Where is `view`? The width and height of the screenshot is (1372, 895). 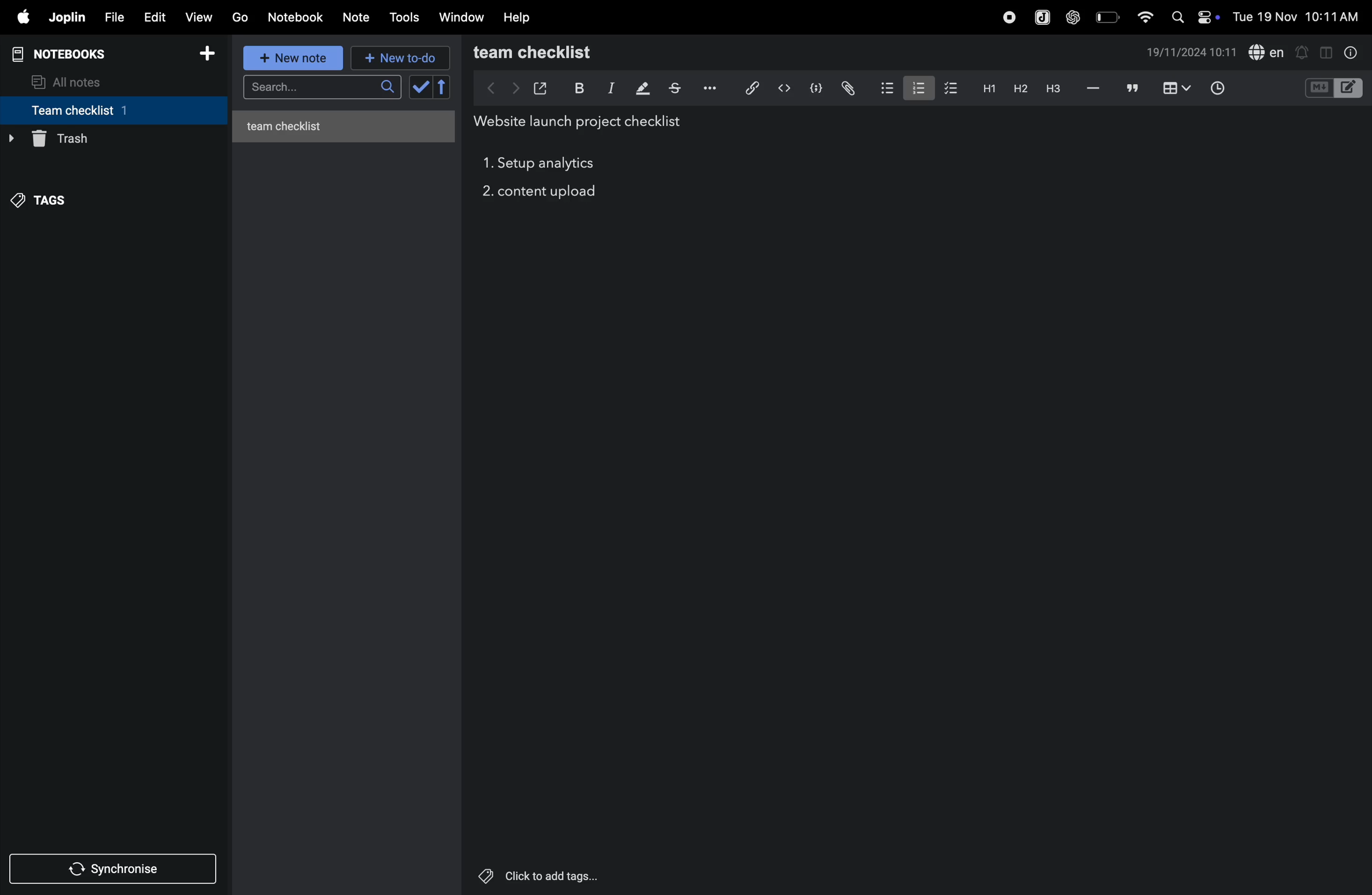 view is located at coordinates (201, 16).